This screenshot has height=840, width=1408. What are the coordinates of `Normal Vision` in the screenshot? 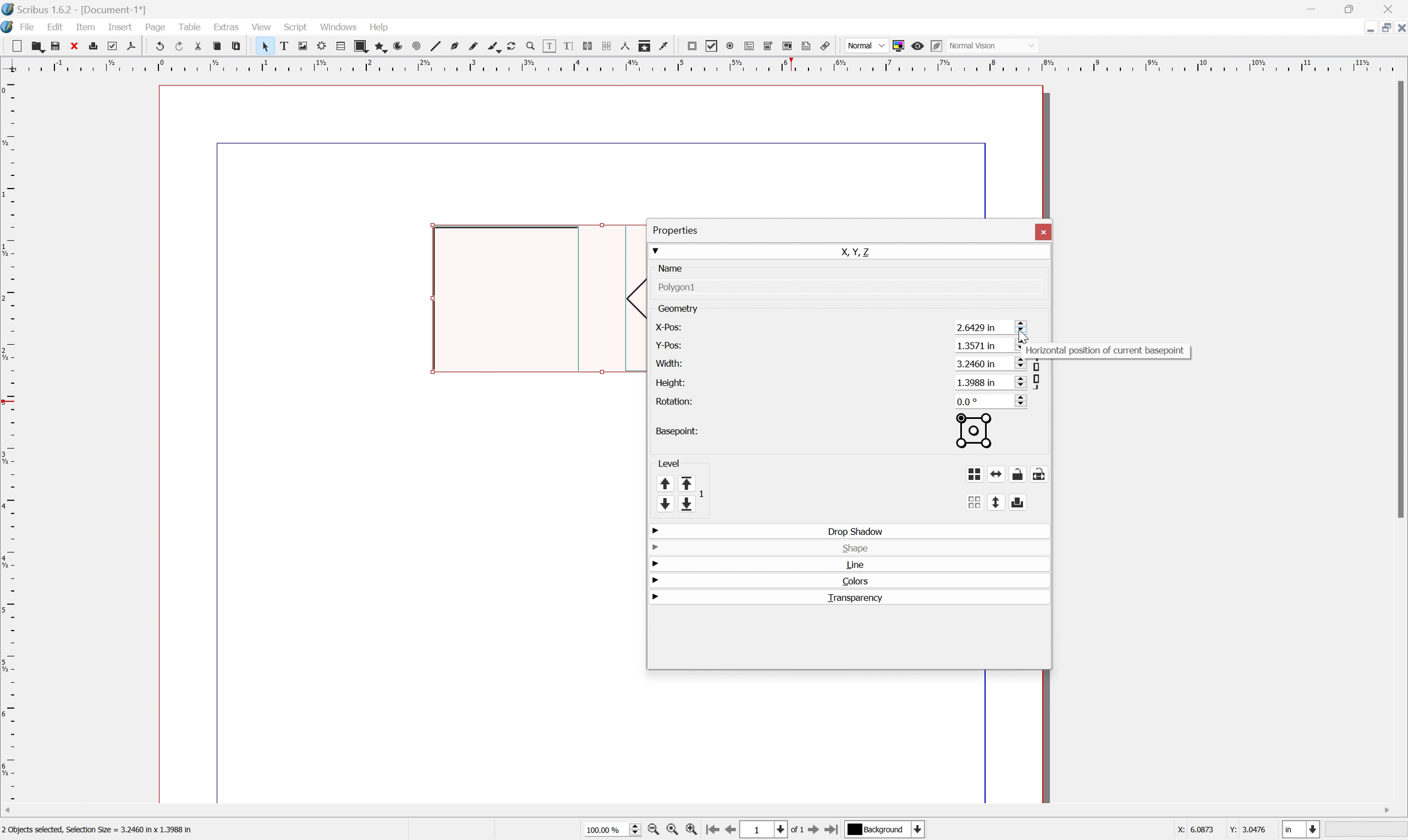 It's located at (994, 44).